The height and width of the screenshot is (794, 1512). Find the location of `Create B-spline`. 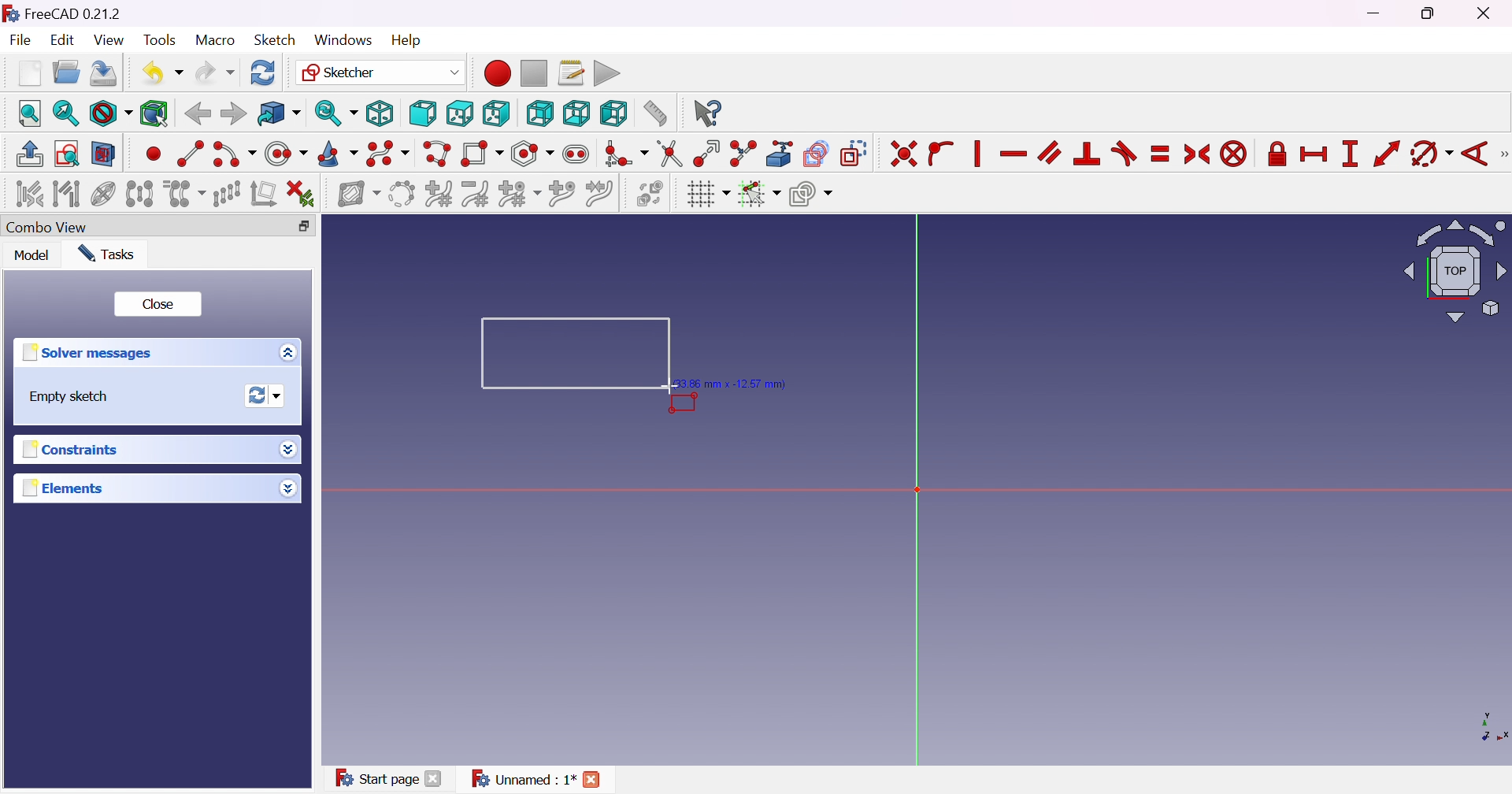

Create B-spline is located at coordinates (387, 154).